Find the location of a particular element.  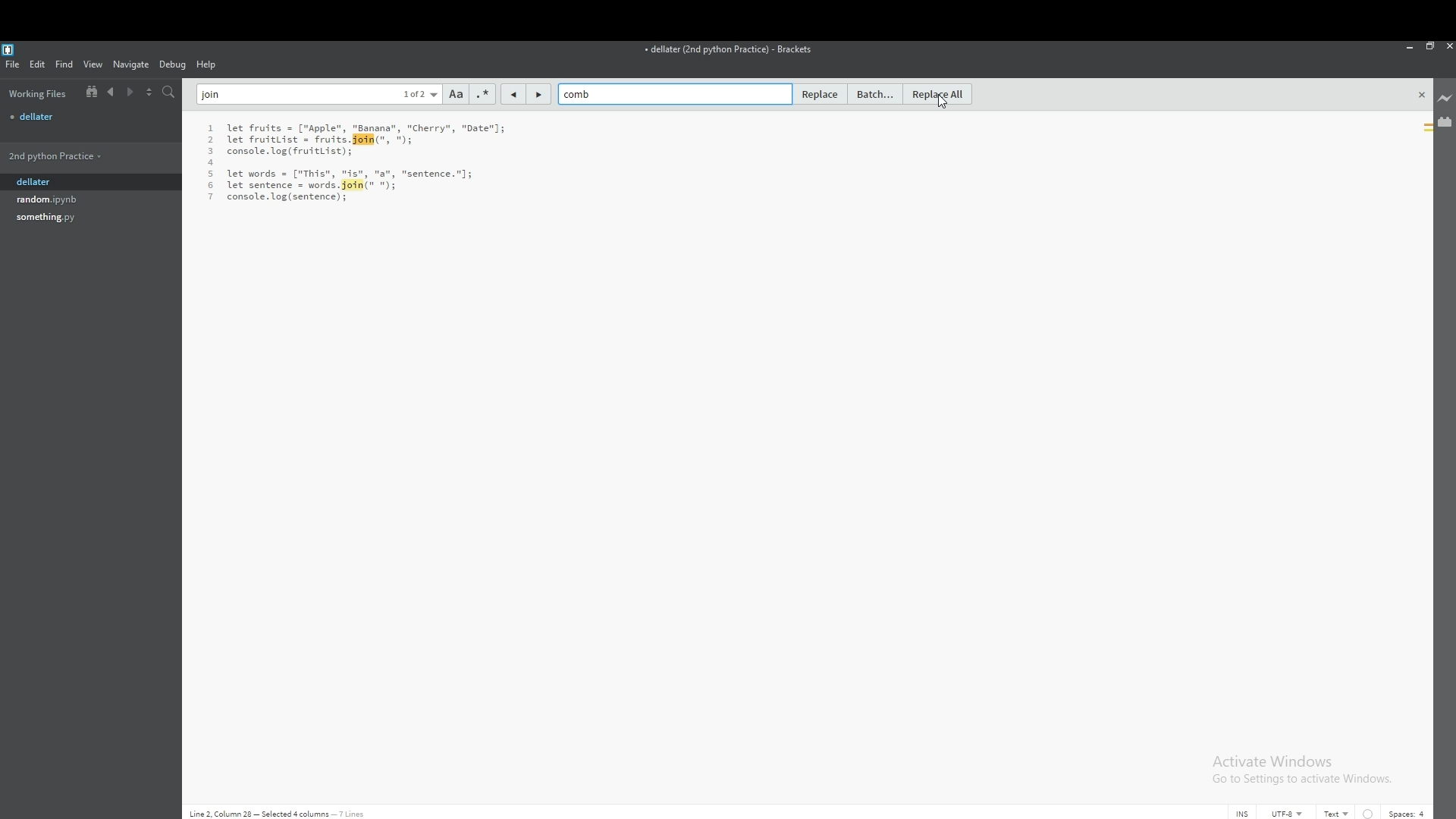

close is located at coordinates (1421, 95).